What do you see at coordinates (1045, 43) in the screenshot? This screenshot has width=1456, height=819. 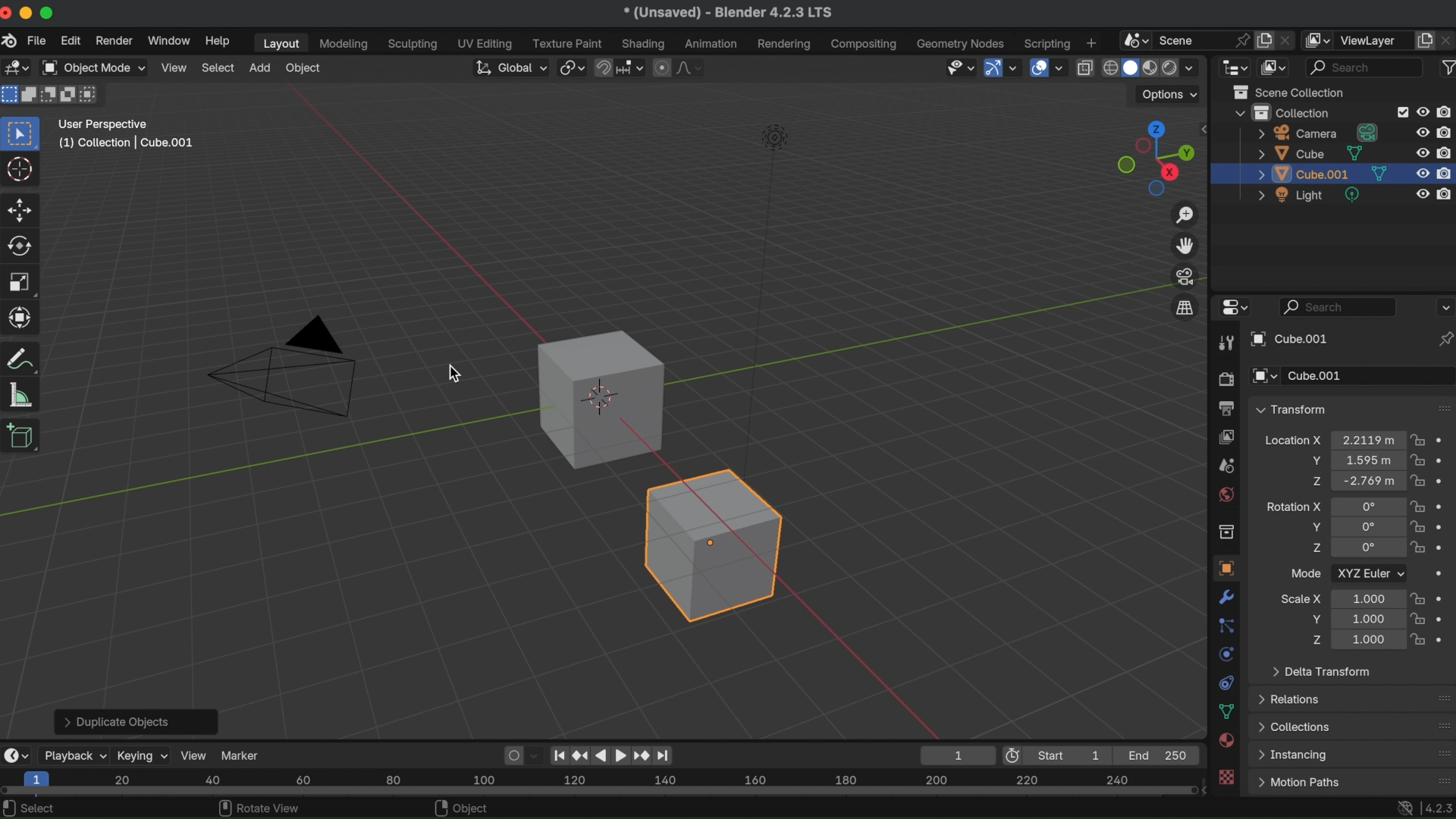 I see `scripting` at bounding box center [1045, 43].